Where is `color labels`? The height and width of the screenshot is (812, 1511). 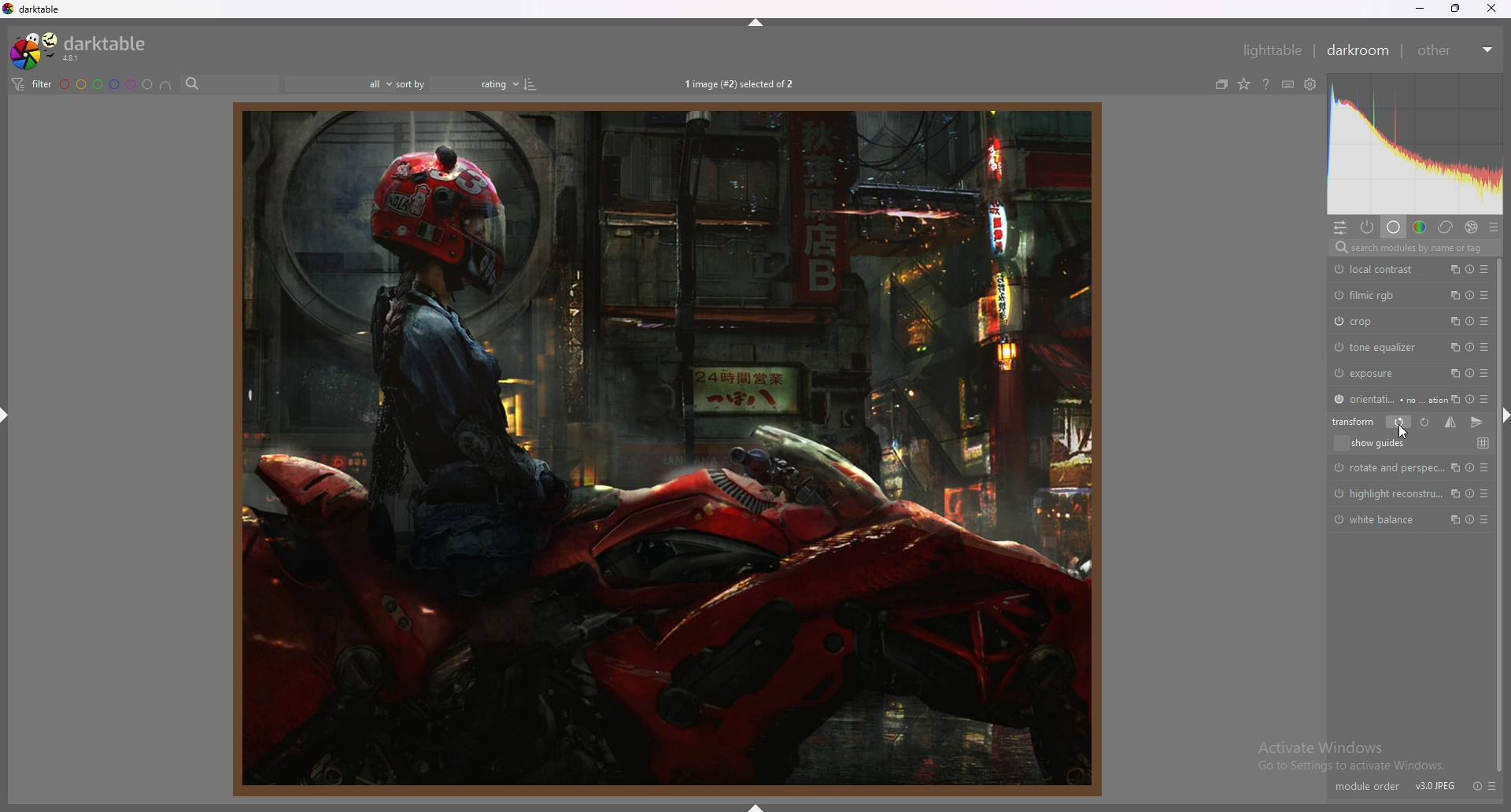
color labels is located at coordinates (105, 84).